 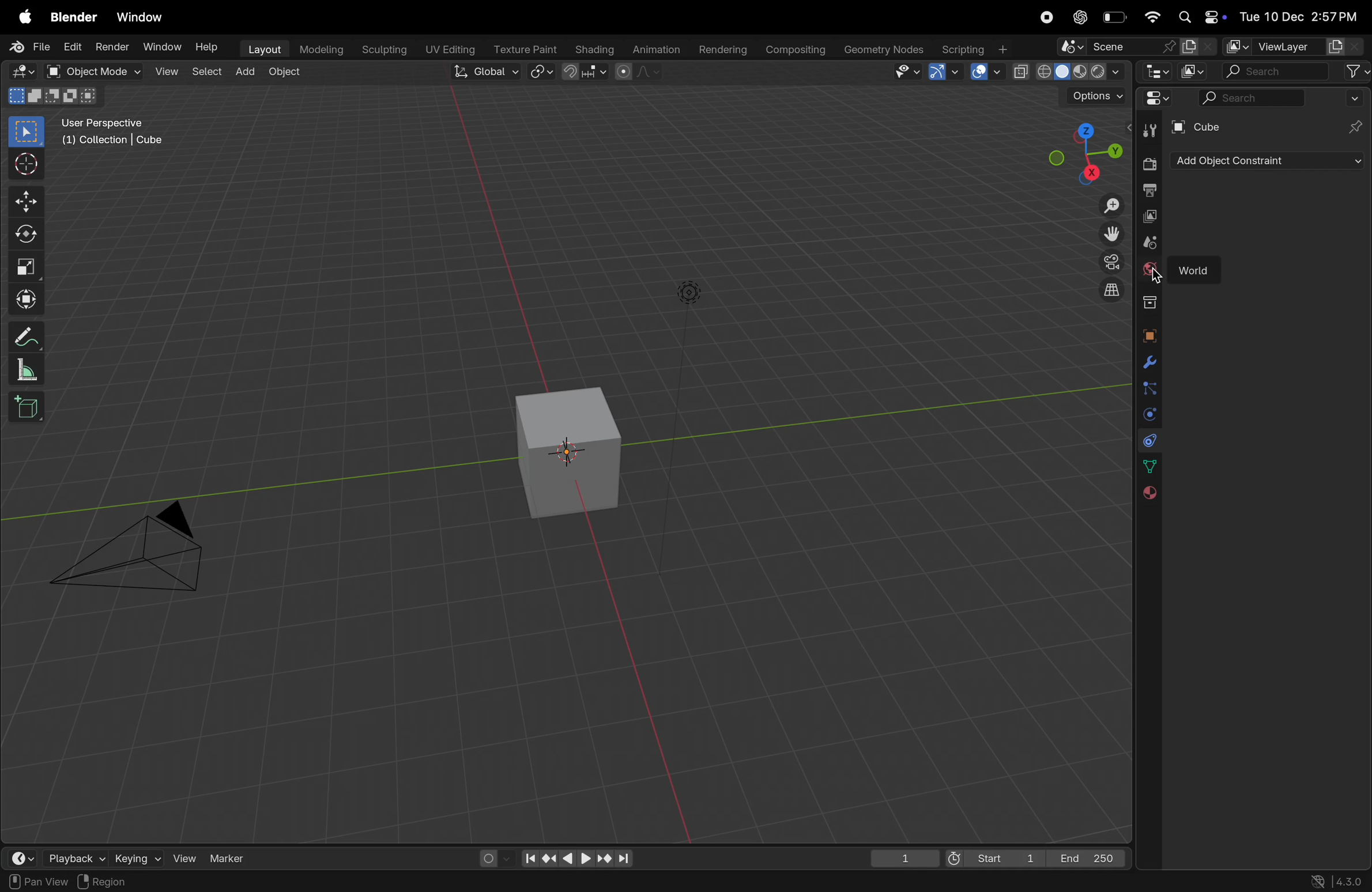 I want to click on 1, so click(x=899, y=856).